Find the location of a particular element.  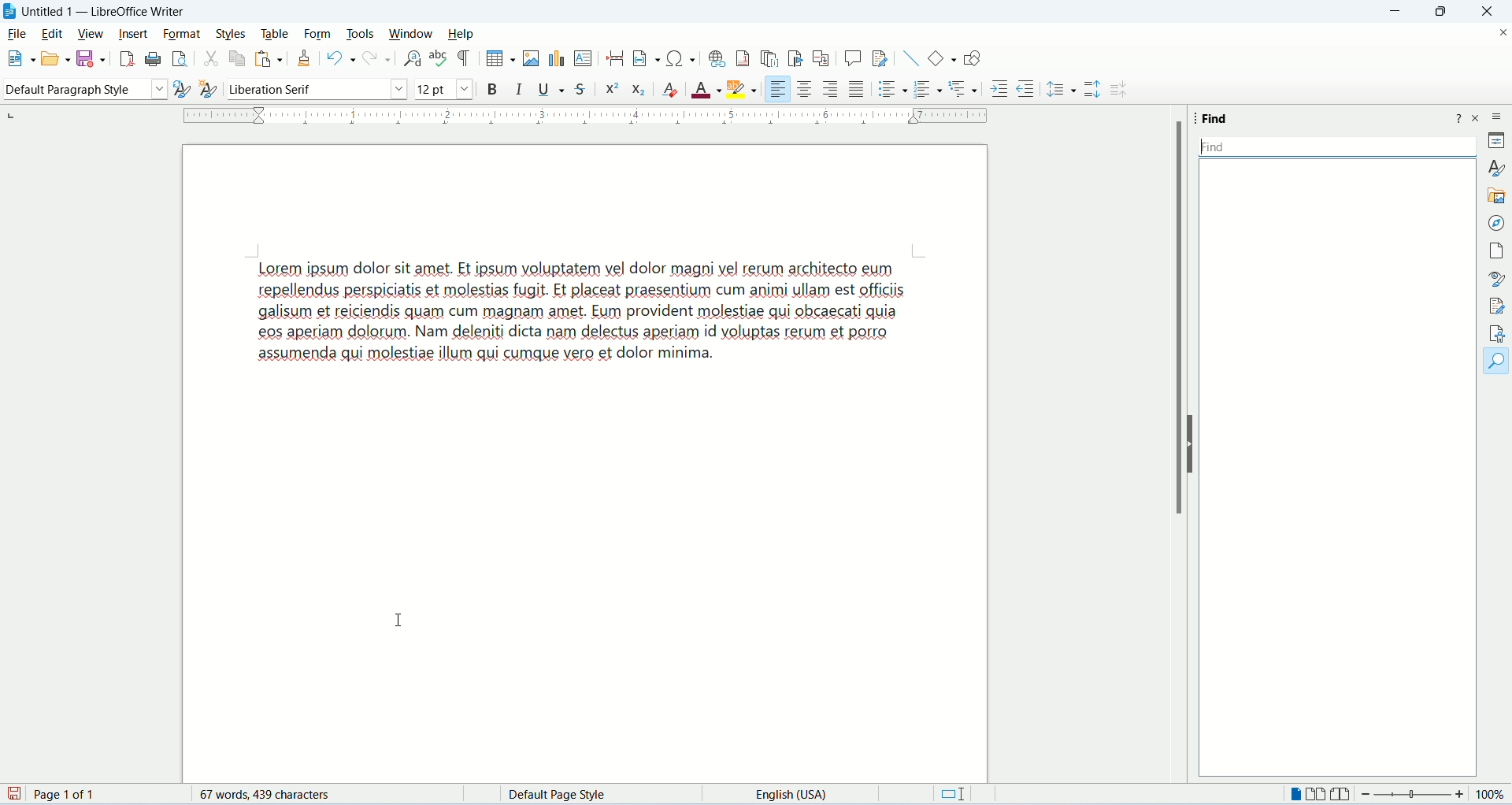

Untitled 1 - LibreOffice Writer is located at coordinates (102, 11).